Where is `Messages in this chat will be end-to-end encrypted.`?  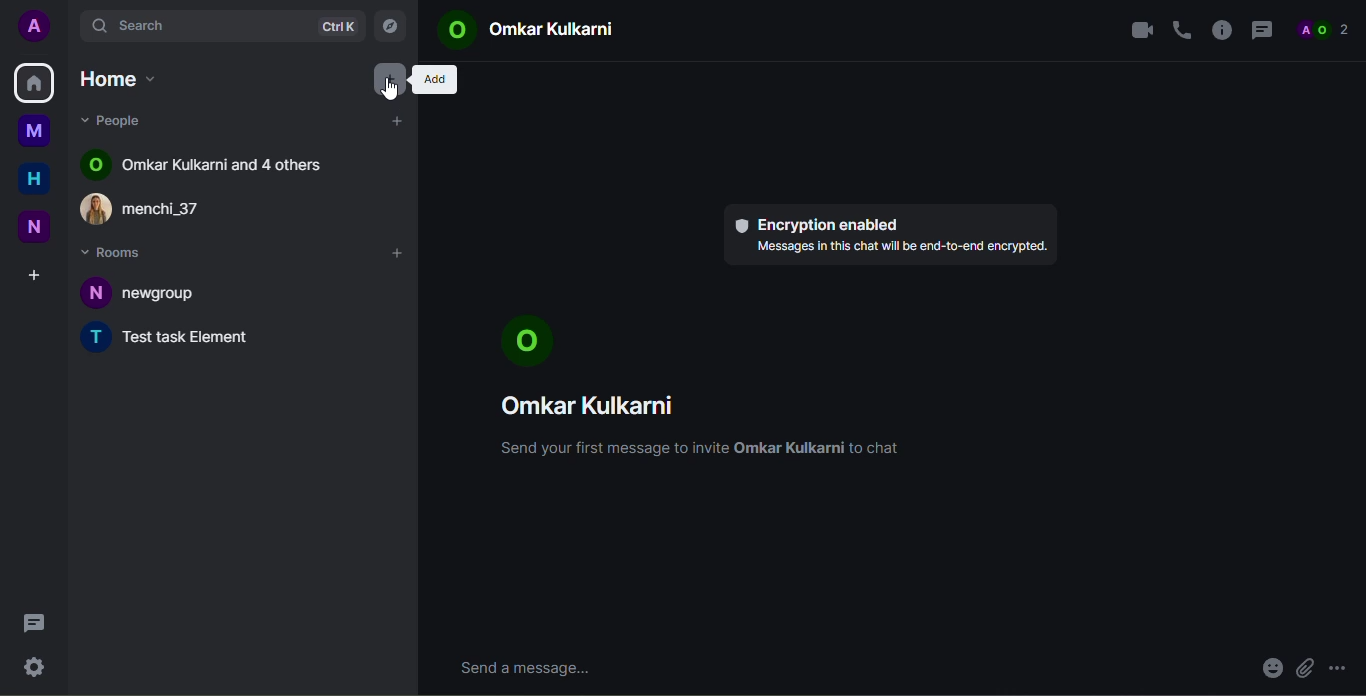
Messages in this chat will be end-to-end encrypted. is located at coordinates (896, 250).